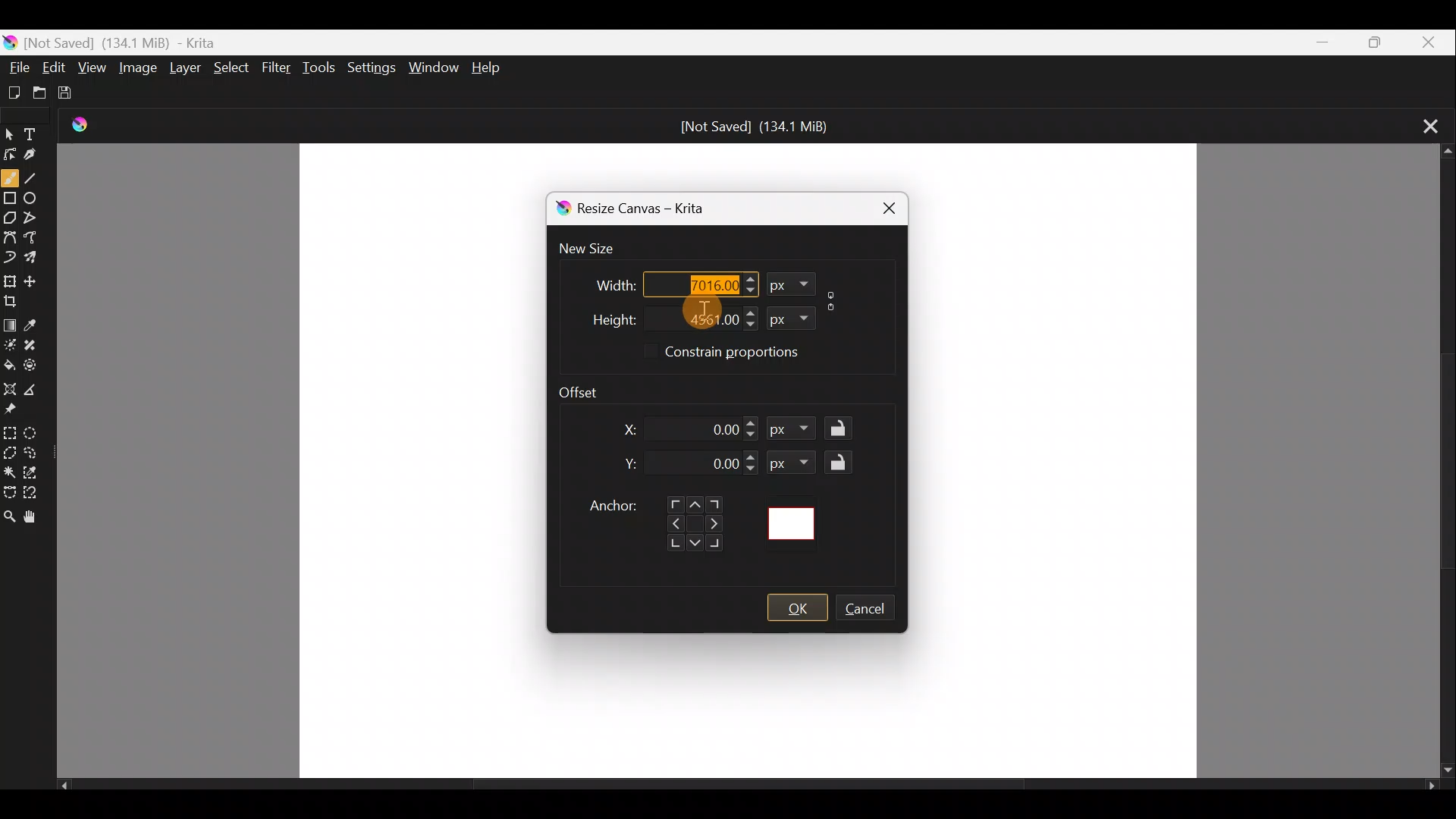 This screenshot has height=819, width=1456. What do you see at coordinates (692, 317) in the screenshot?
I see `4561.00` at bounding box center [692, 317].